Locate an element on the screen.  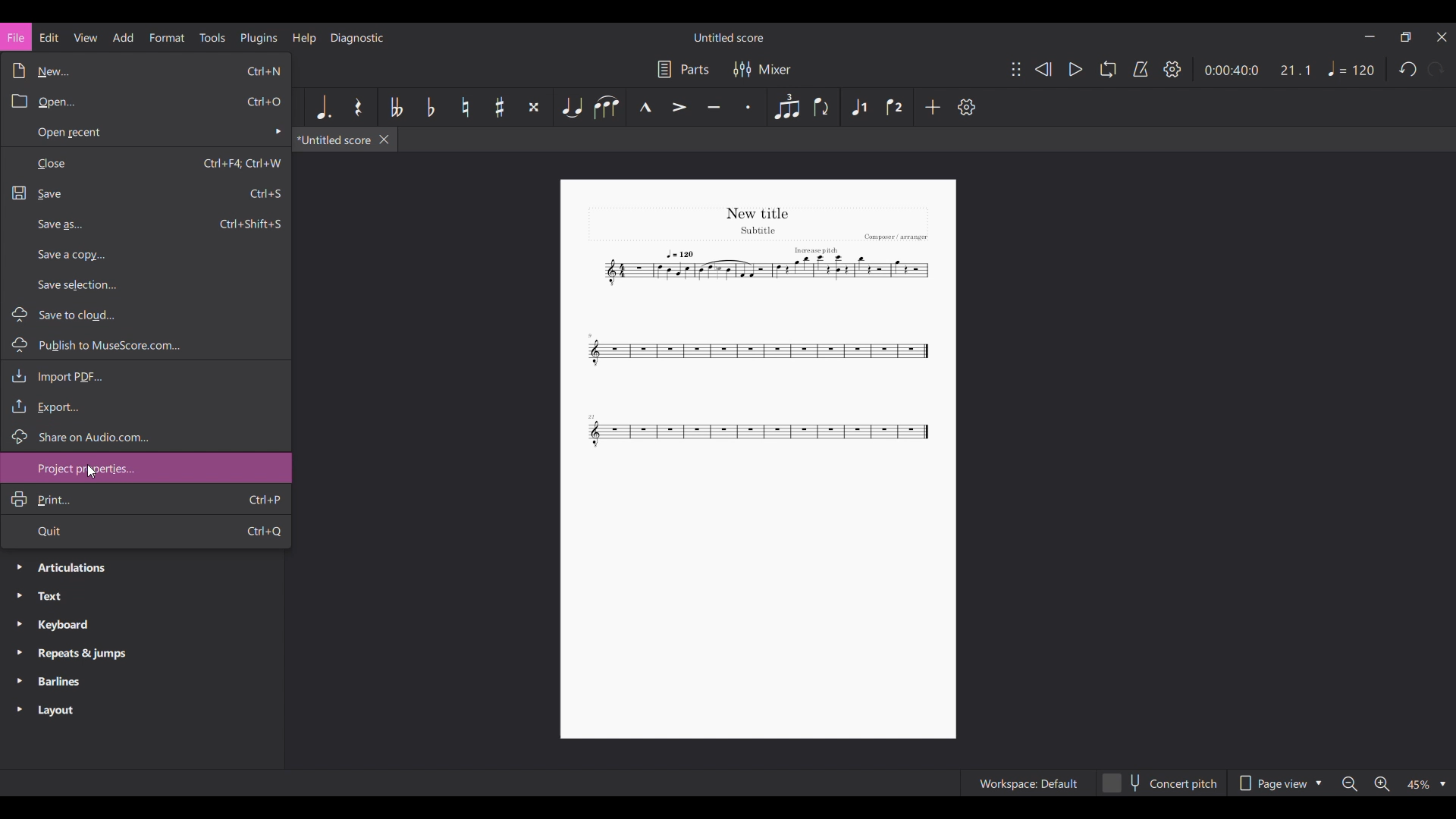
Play is located at coordinates (1077, 69).